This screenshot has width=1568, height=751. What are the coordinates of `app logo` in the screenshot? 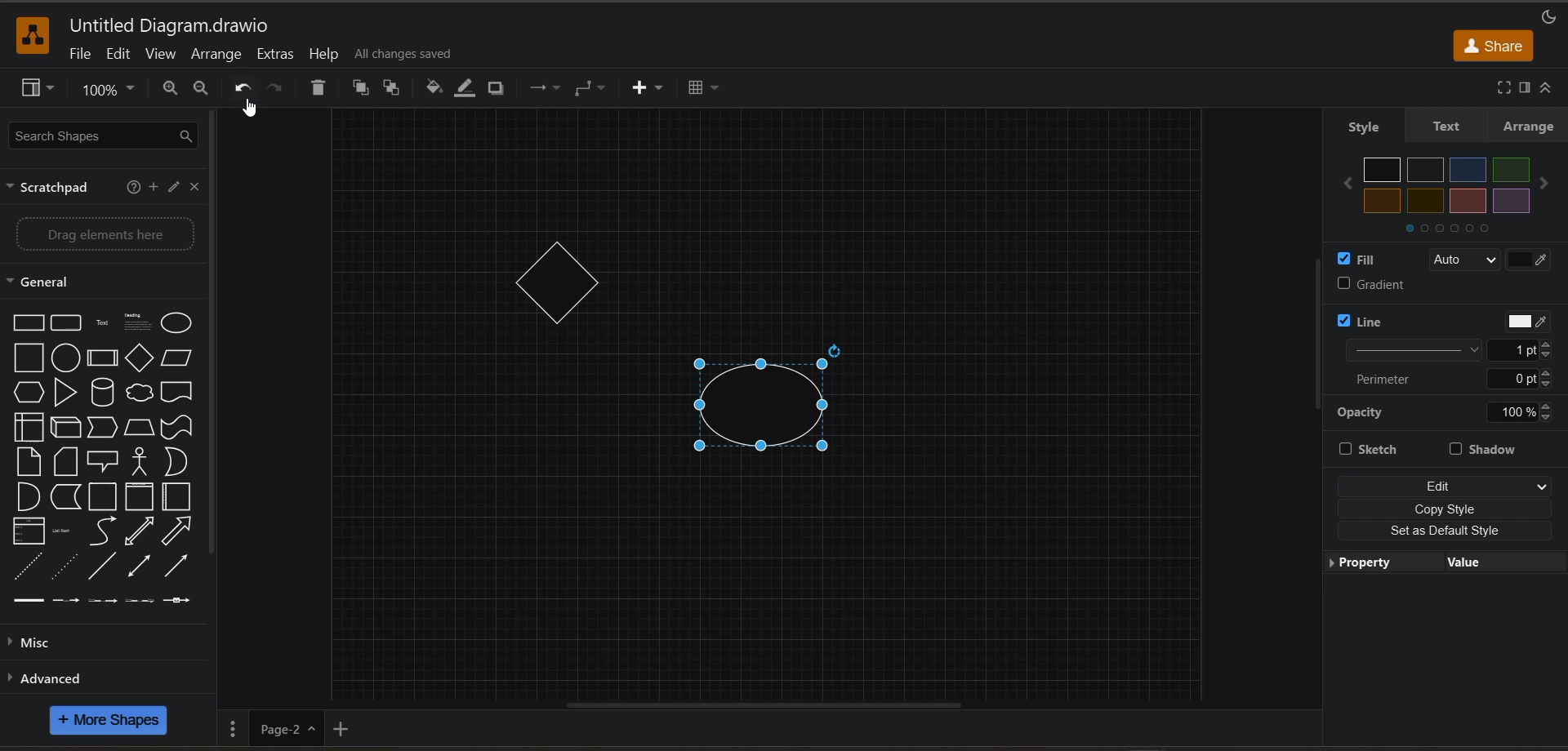 It's located at (37, 38).